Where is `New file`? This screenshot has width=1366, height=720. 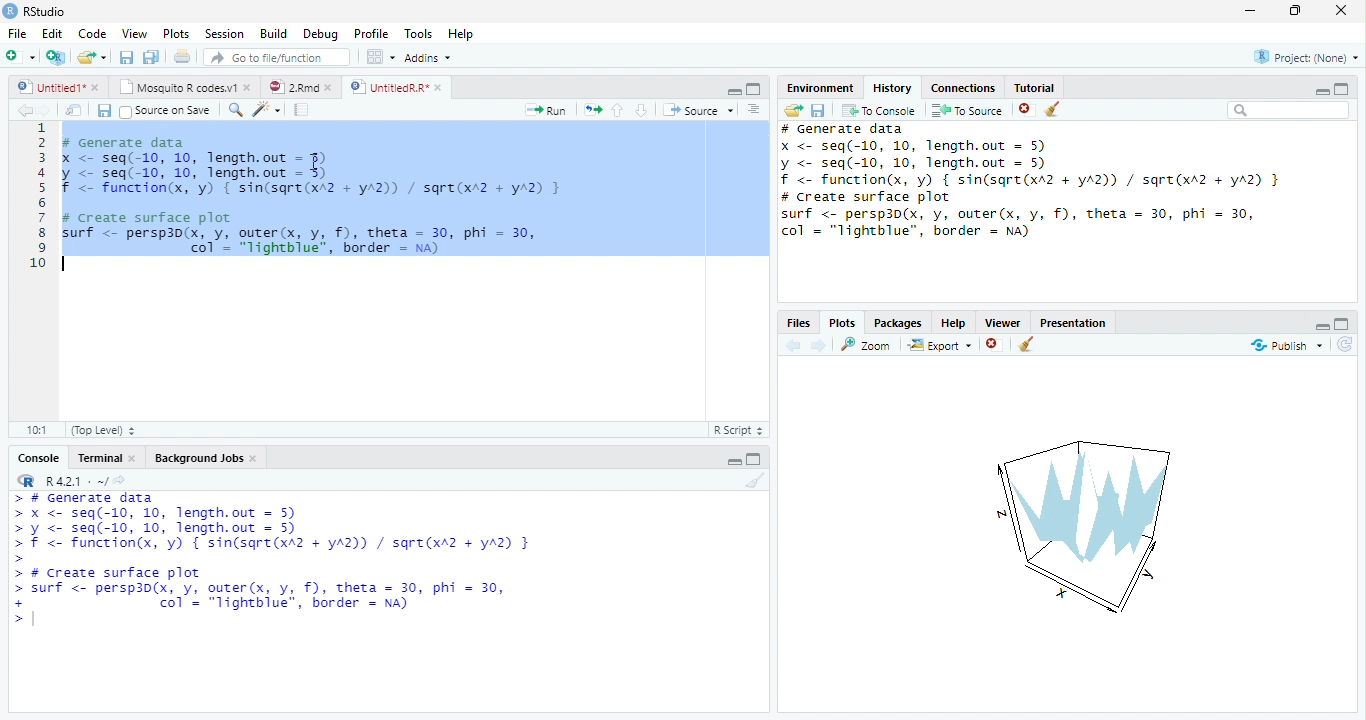 New file is located at coordinates (19, 57).